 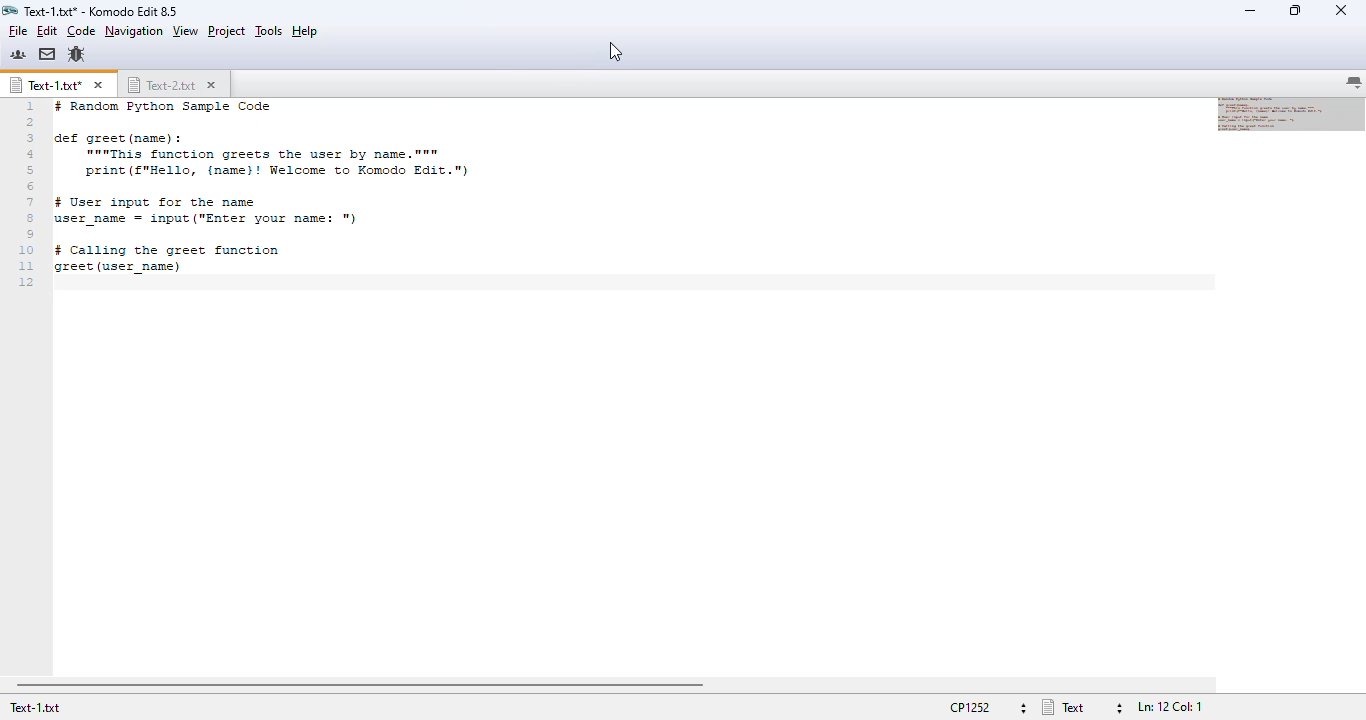 What do you see at coordinates (1341, 10) in the screenshot?
I see `close` at bounding box center [1341, 10].